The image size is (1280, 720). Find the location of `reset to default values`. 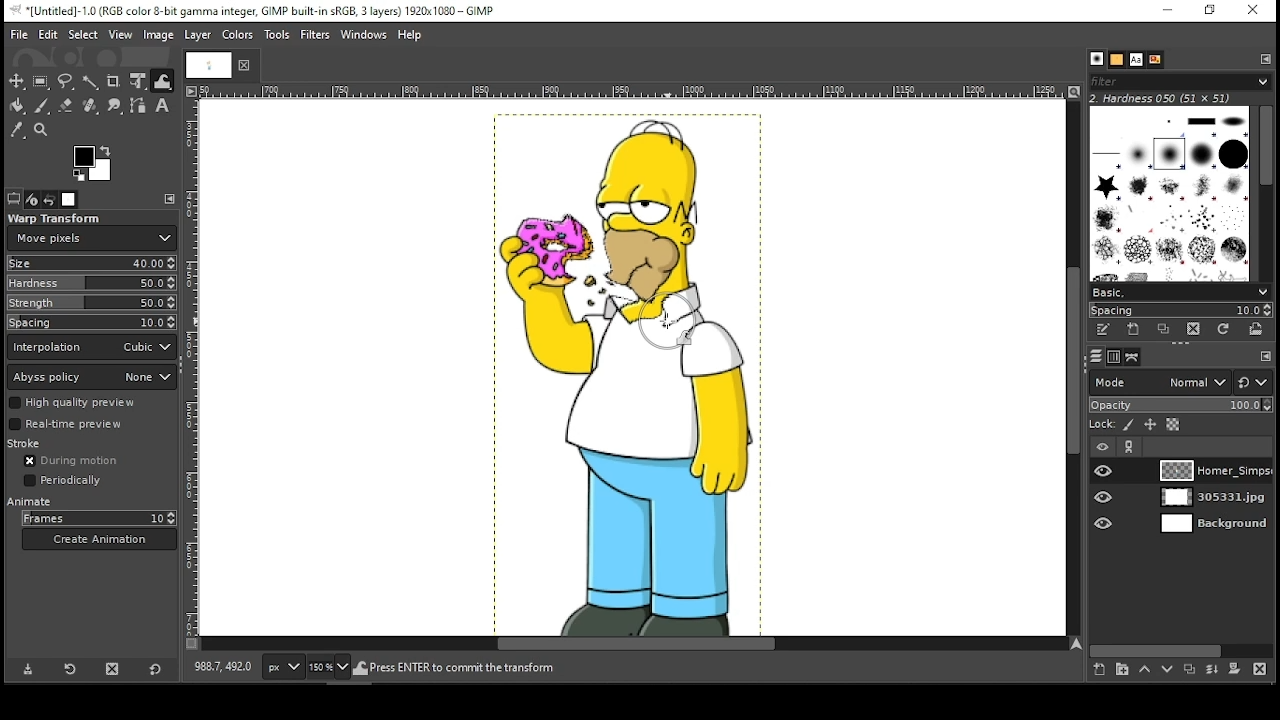

reset to default values is located at coordinates (156, 669).